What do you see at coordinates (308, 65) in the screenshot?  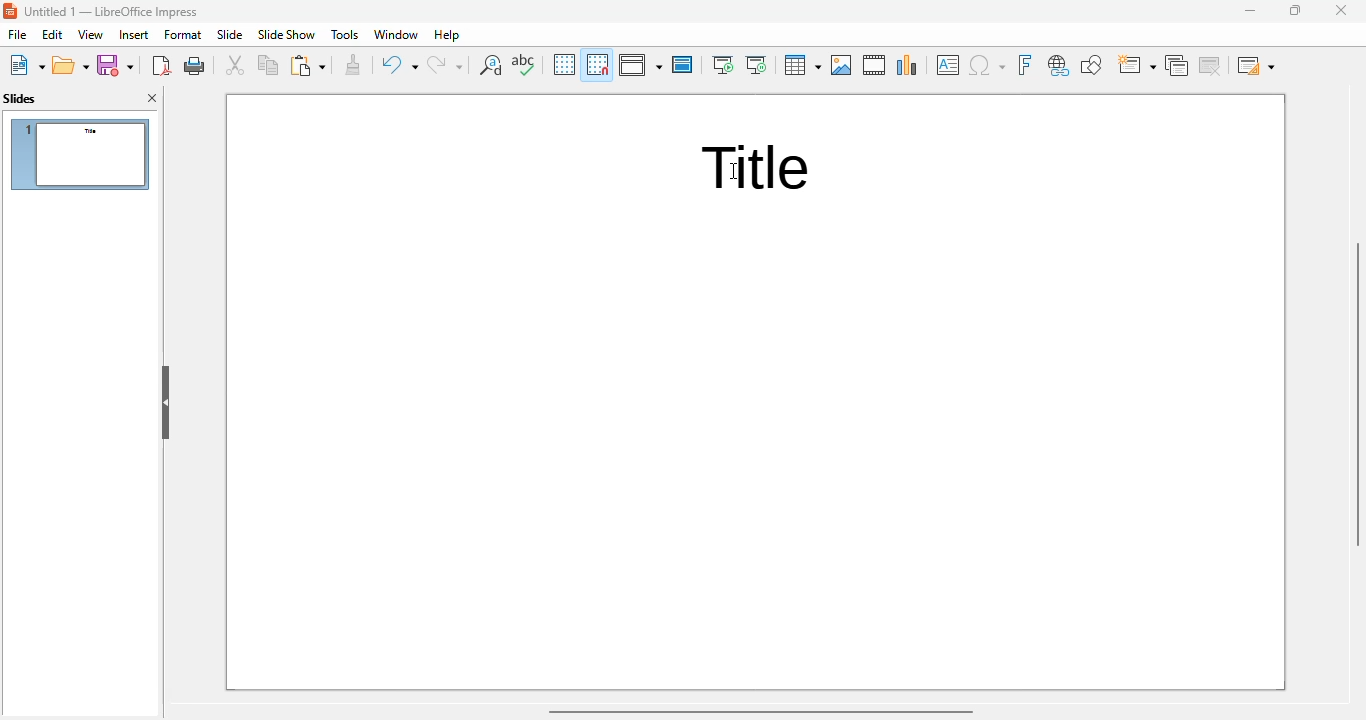 I see `paste` at bounding box center [308, 65].